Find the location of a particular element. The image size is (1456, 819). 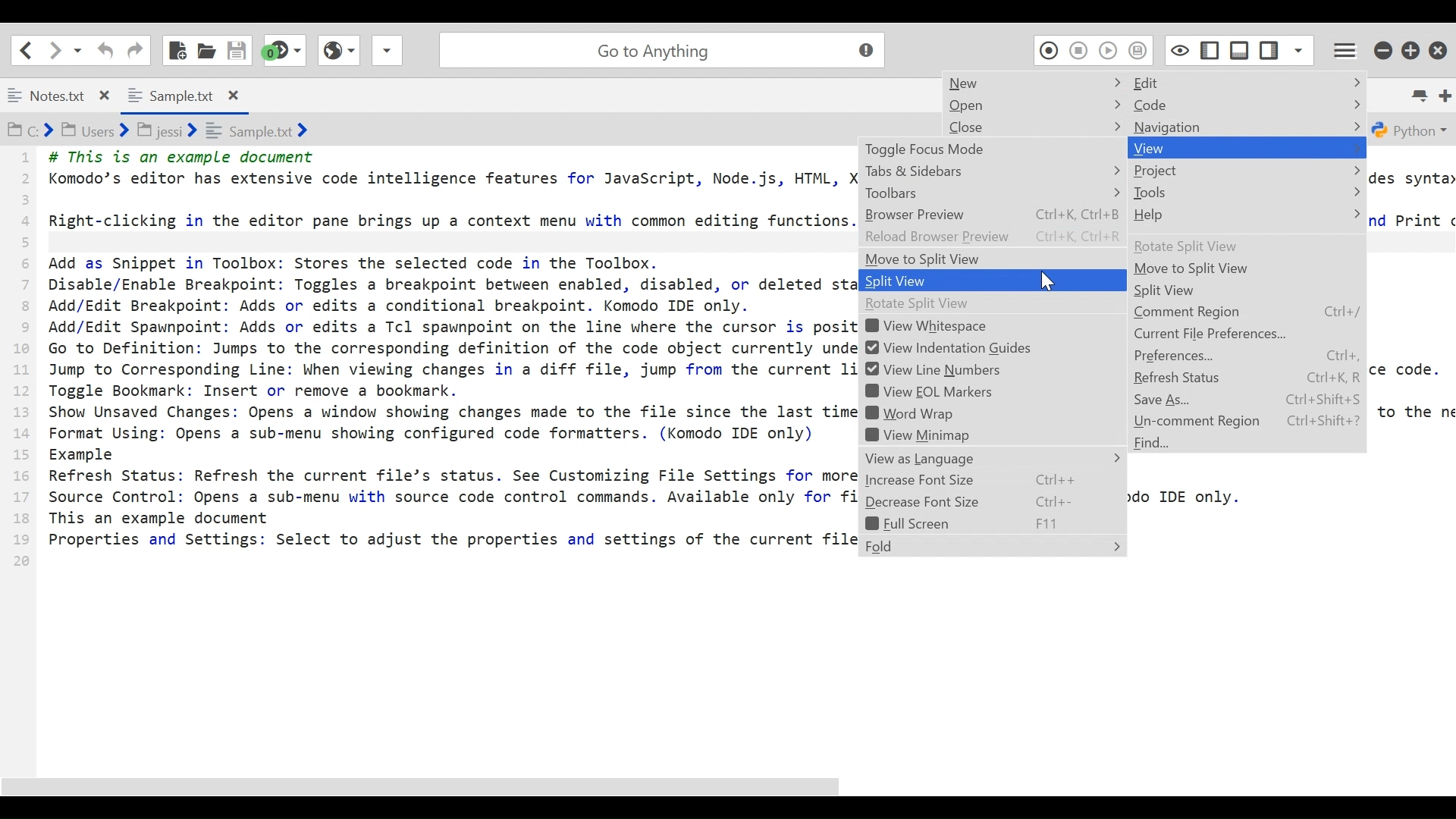

View Line numbers is located at coordinates (991, 371).